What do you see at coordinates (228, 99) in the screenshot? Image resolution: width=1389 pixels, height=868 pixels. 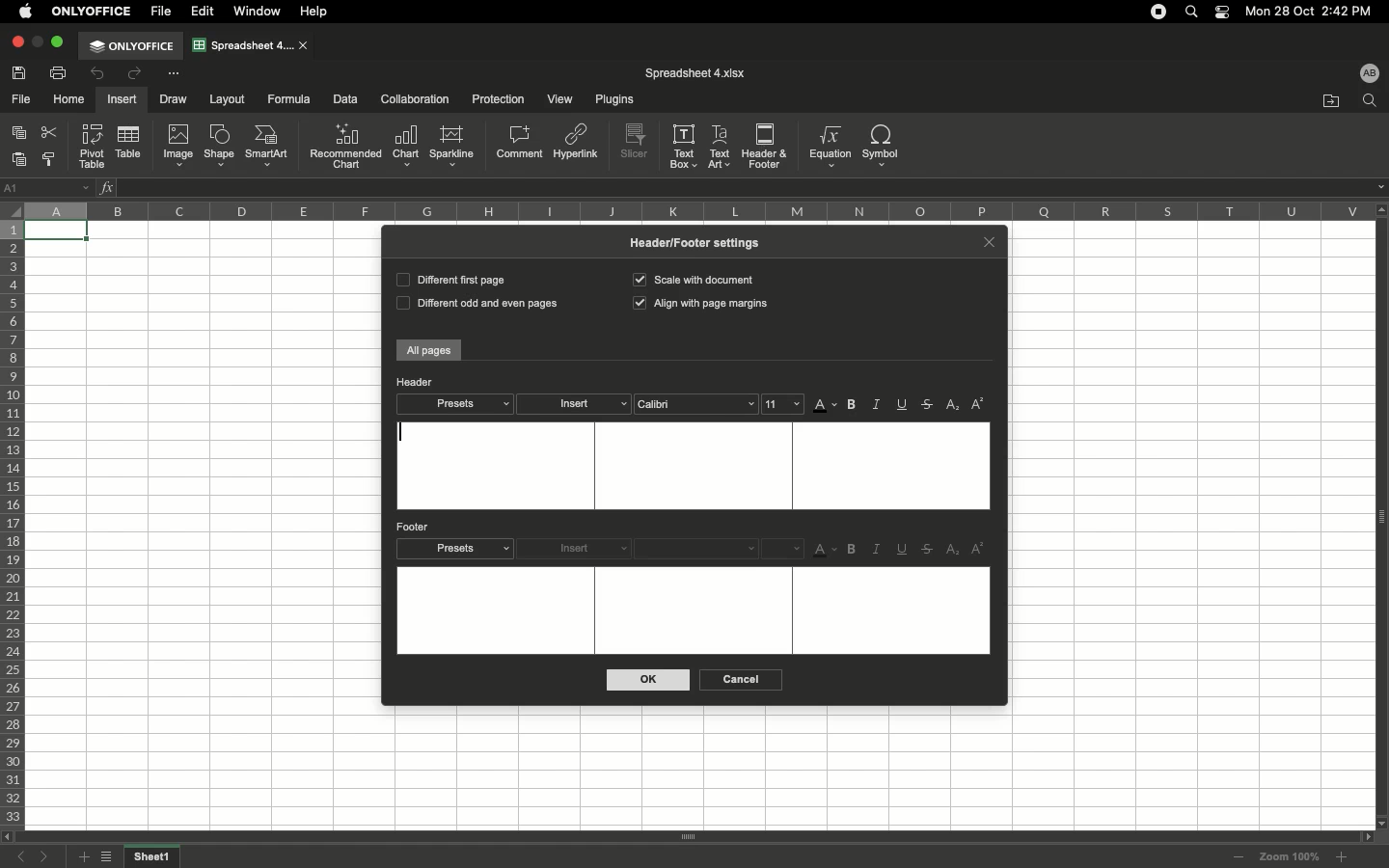 I see `Layout` at bounding box center [228, 99].